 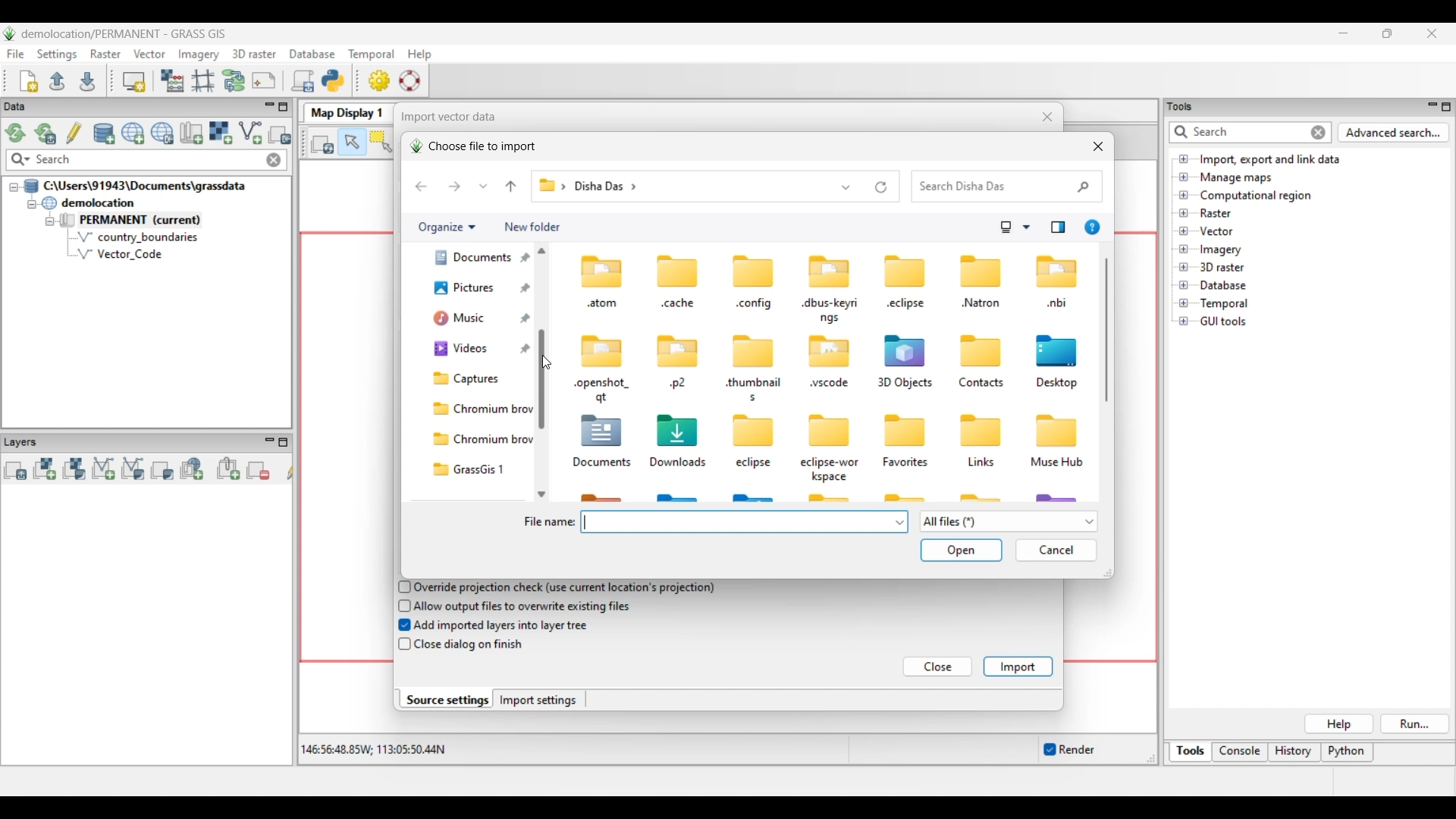 What do you see at coordinates (908, 306) in the screenshot?
I see `«eclipse` at bounding box center [908, 306].